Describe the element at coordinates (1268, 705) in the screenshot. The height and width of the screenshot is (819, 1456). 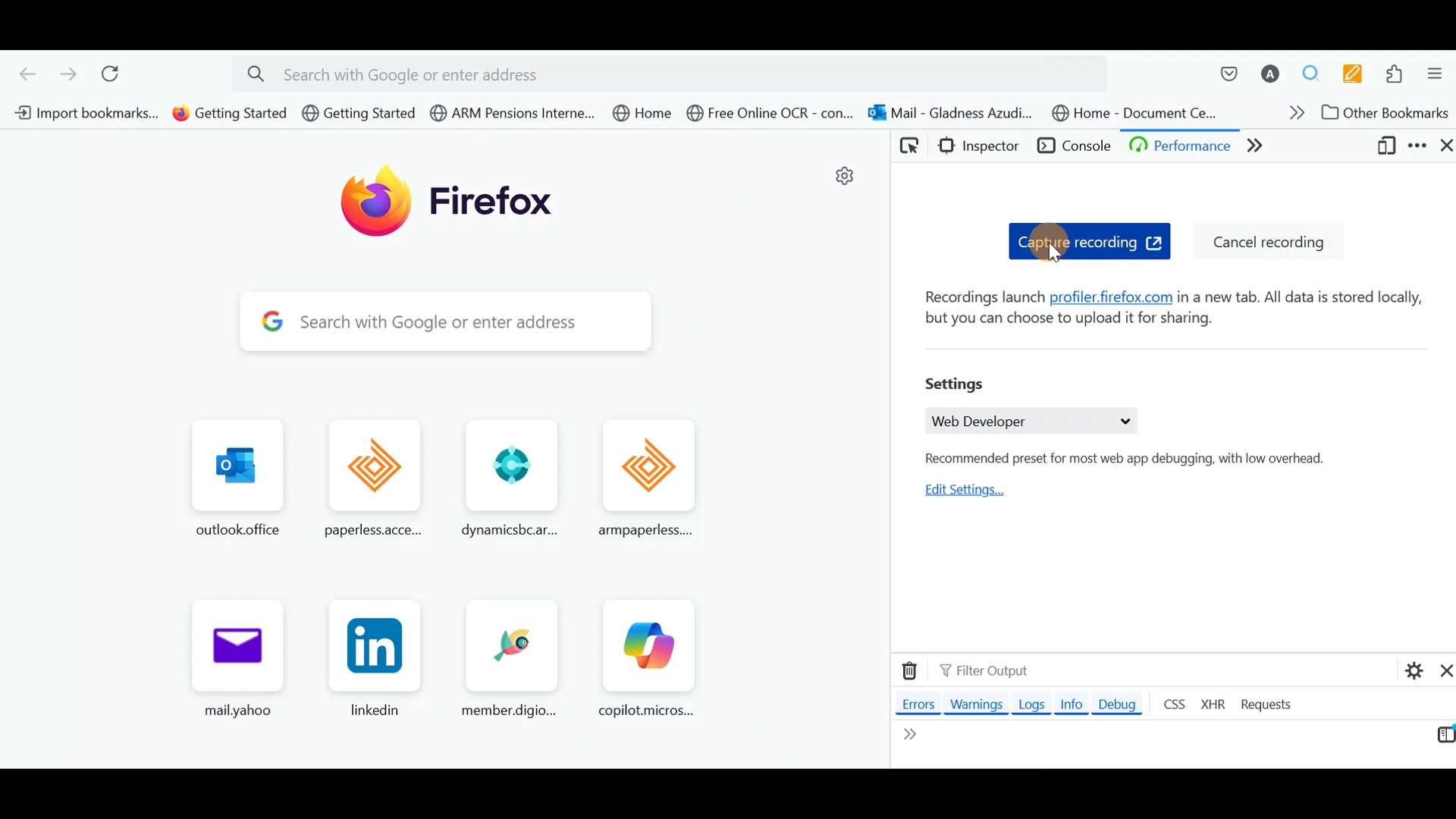
I see `Requests` at that location.